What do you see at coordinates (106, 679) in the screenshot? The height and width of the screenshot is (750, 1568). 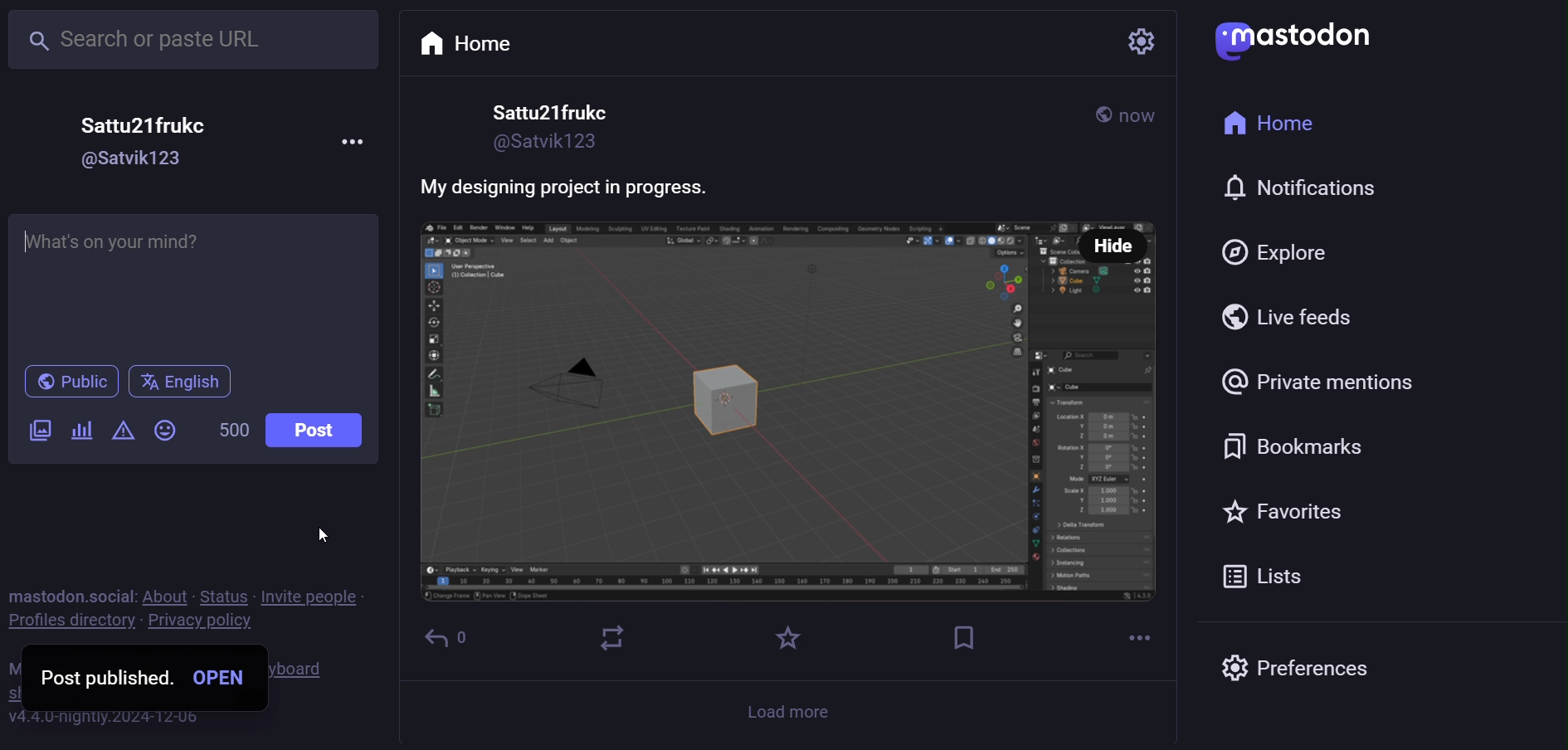 I see `post published` at bounding box center [106, 679].